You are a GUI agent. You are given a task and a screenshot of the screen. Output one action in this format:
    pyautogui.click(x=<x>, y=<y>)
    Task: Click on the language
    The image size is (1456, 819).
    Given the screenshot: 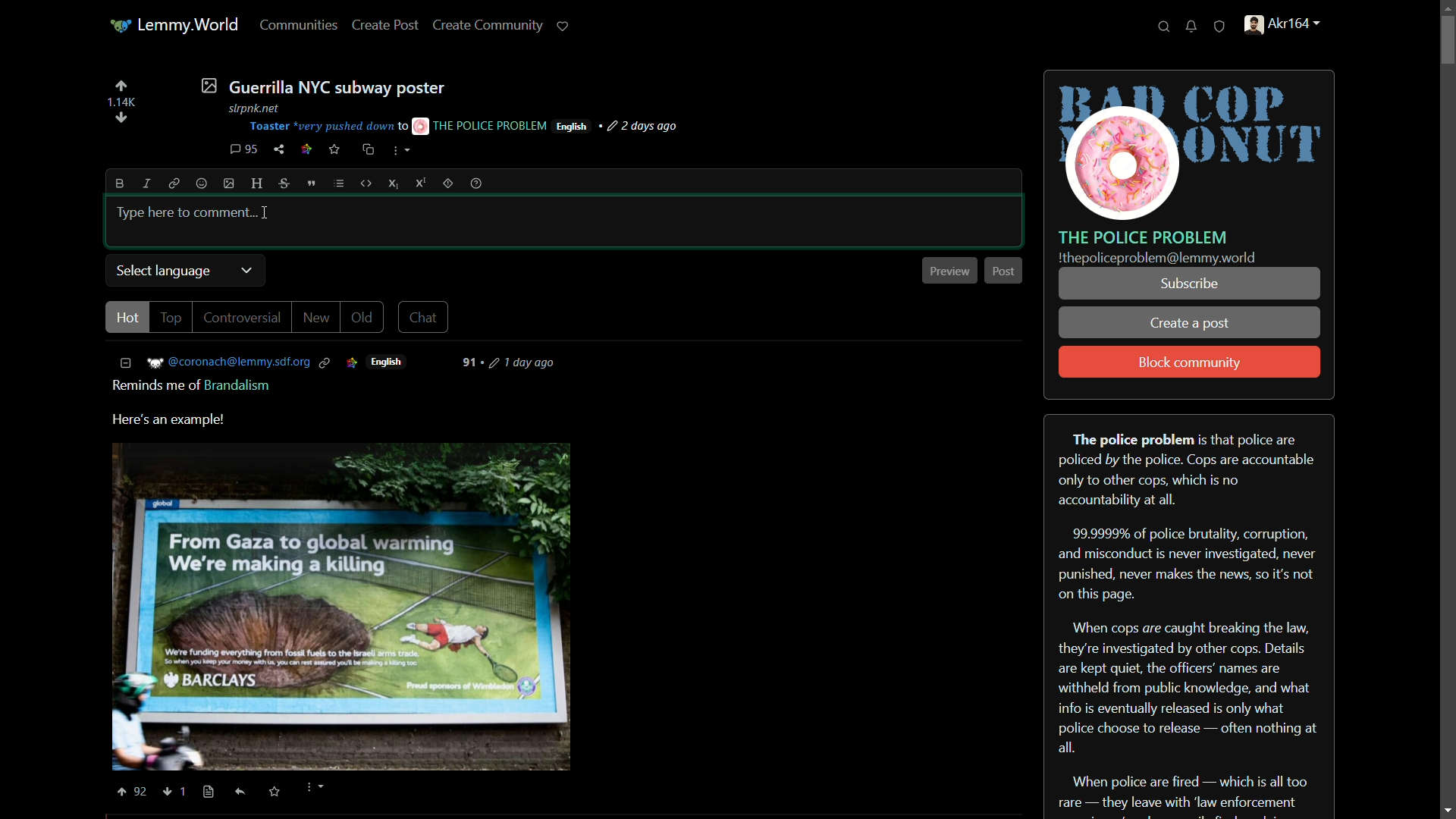 What is the action you would take?
    pyautogui.click(x=572, y=127)
    